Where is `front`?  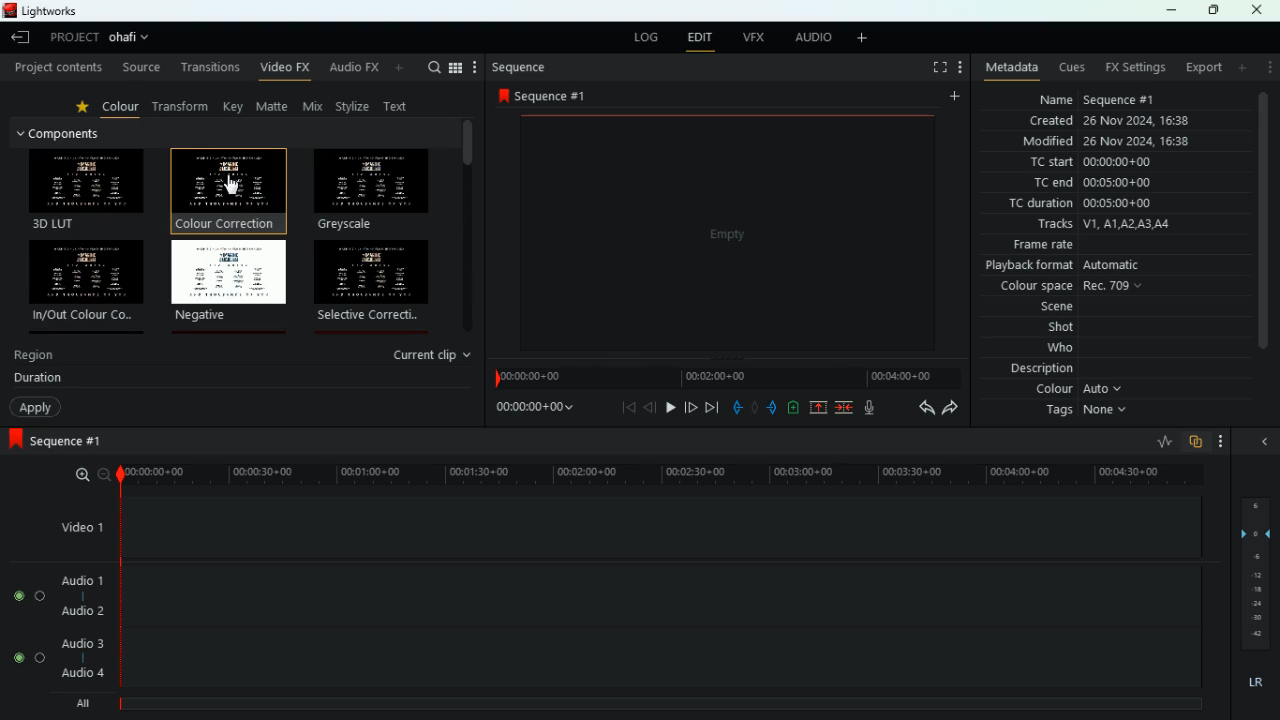
front is located at coordinates (771, 407).